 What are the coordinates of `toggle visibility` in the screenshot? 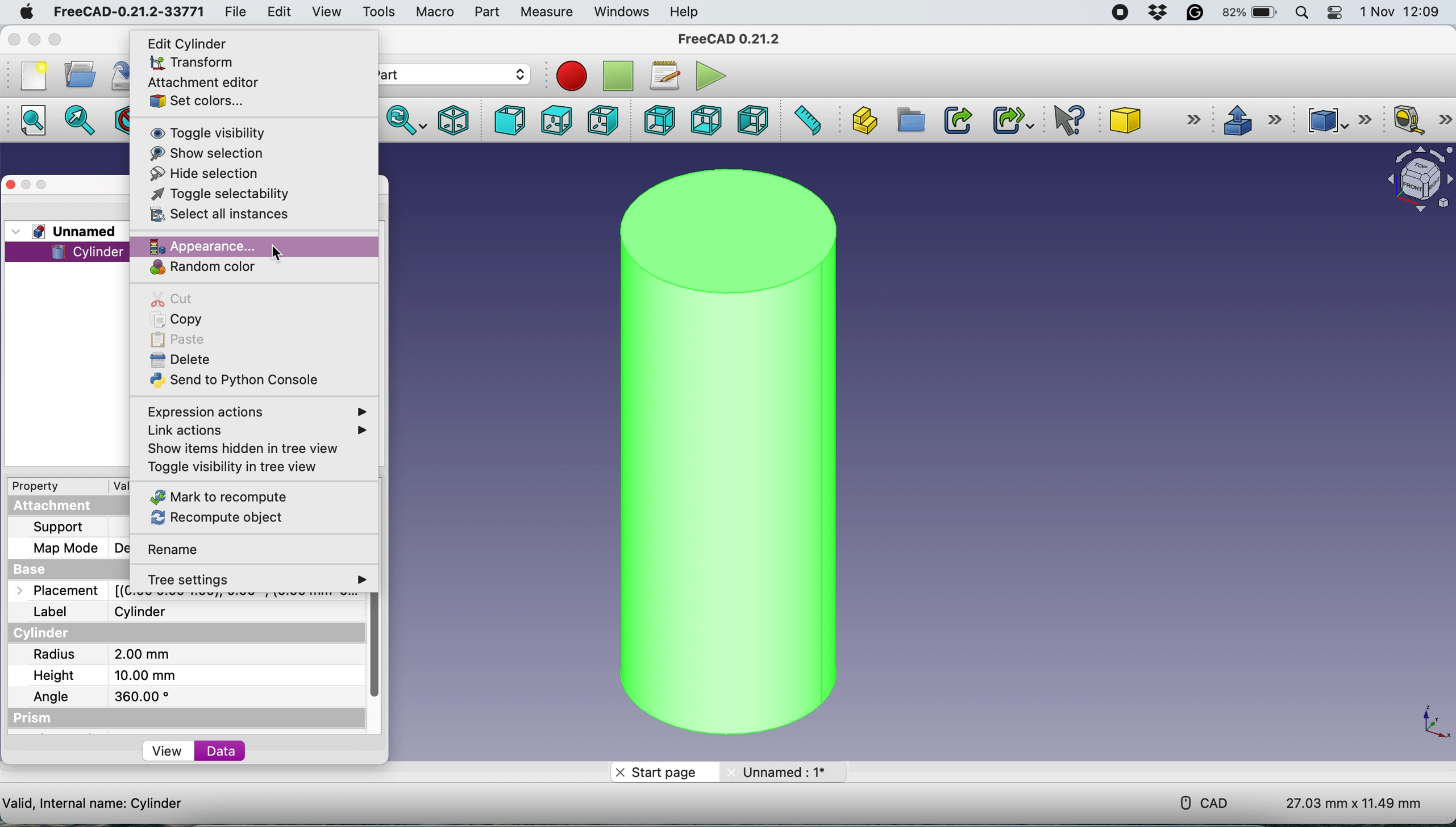 It's located at (210, 132).